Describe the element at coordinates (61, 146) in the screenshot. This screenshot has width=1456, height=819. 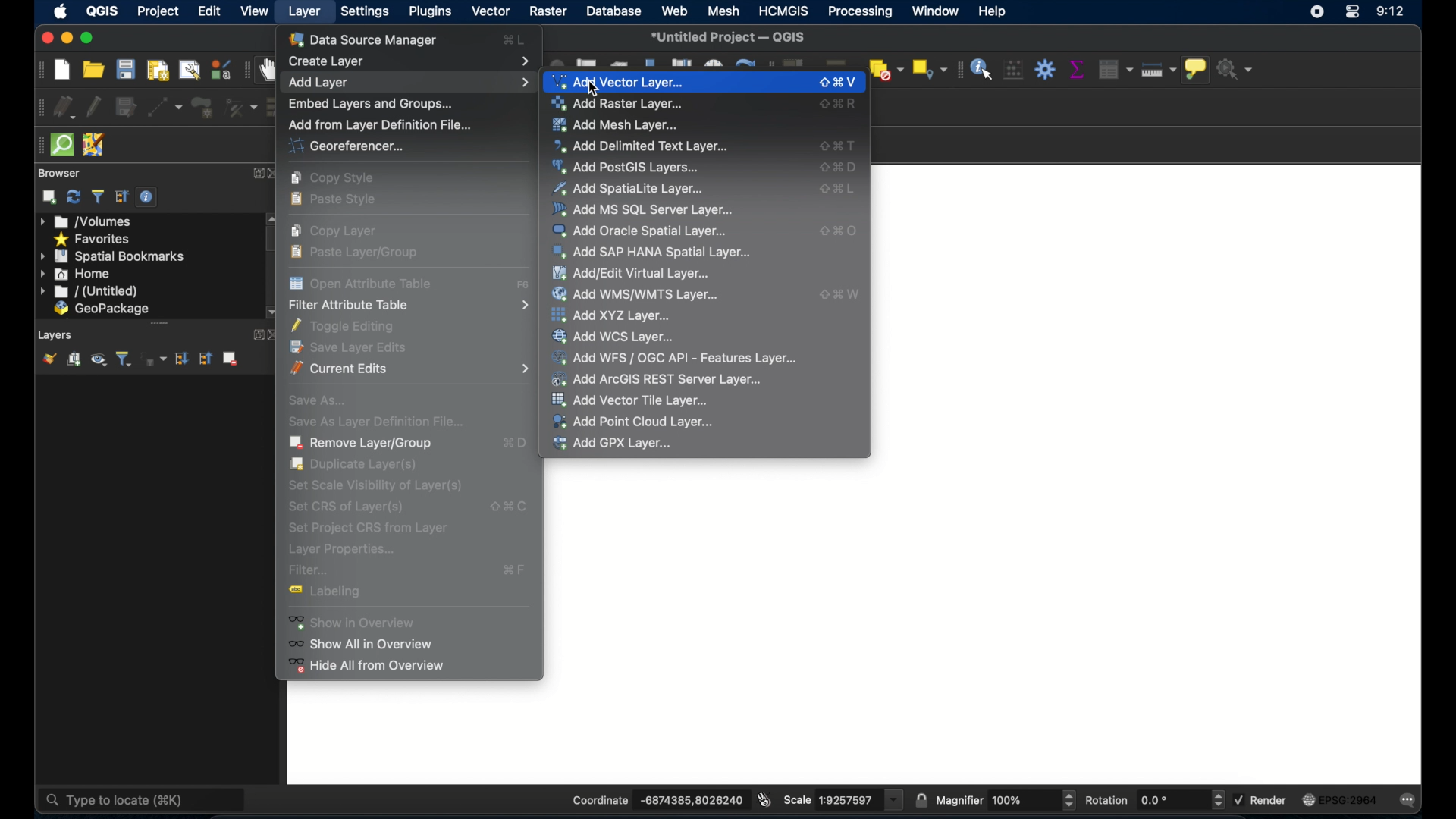
I see `quicksom` at that location.